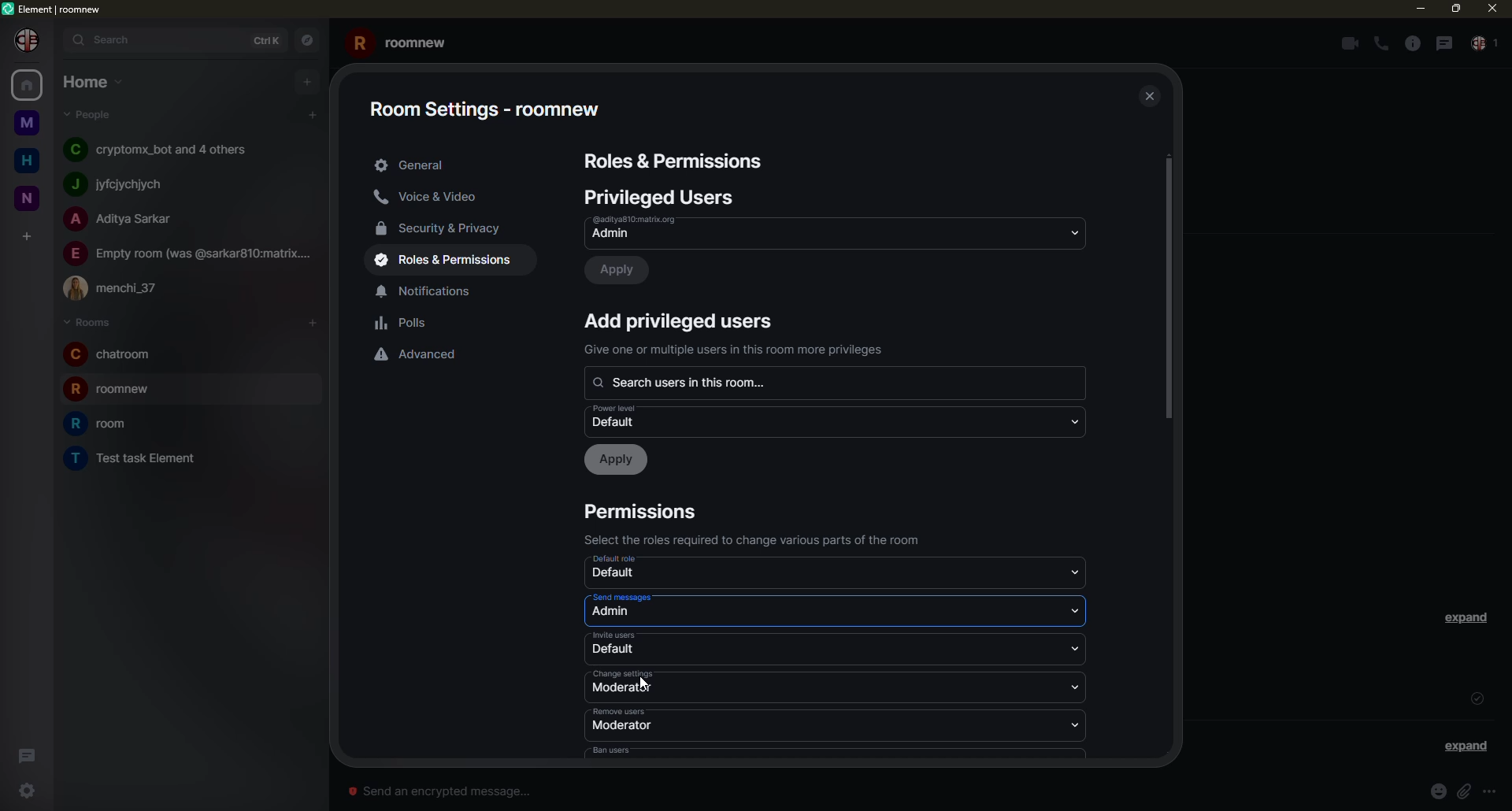 This screenshot has height=811, width=1512. Describe the element at coordinates (1078, 723) in the screenshot. I see `drop` at that location.